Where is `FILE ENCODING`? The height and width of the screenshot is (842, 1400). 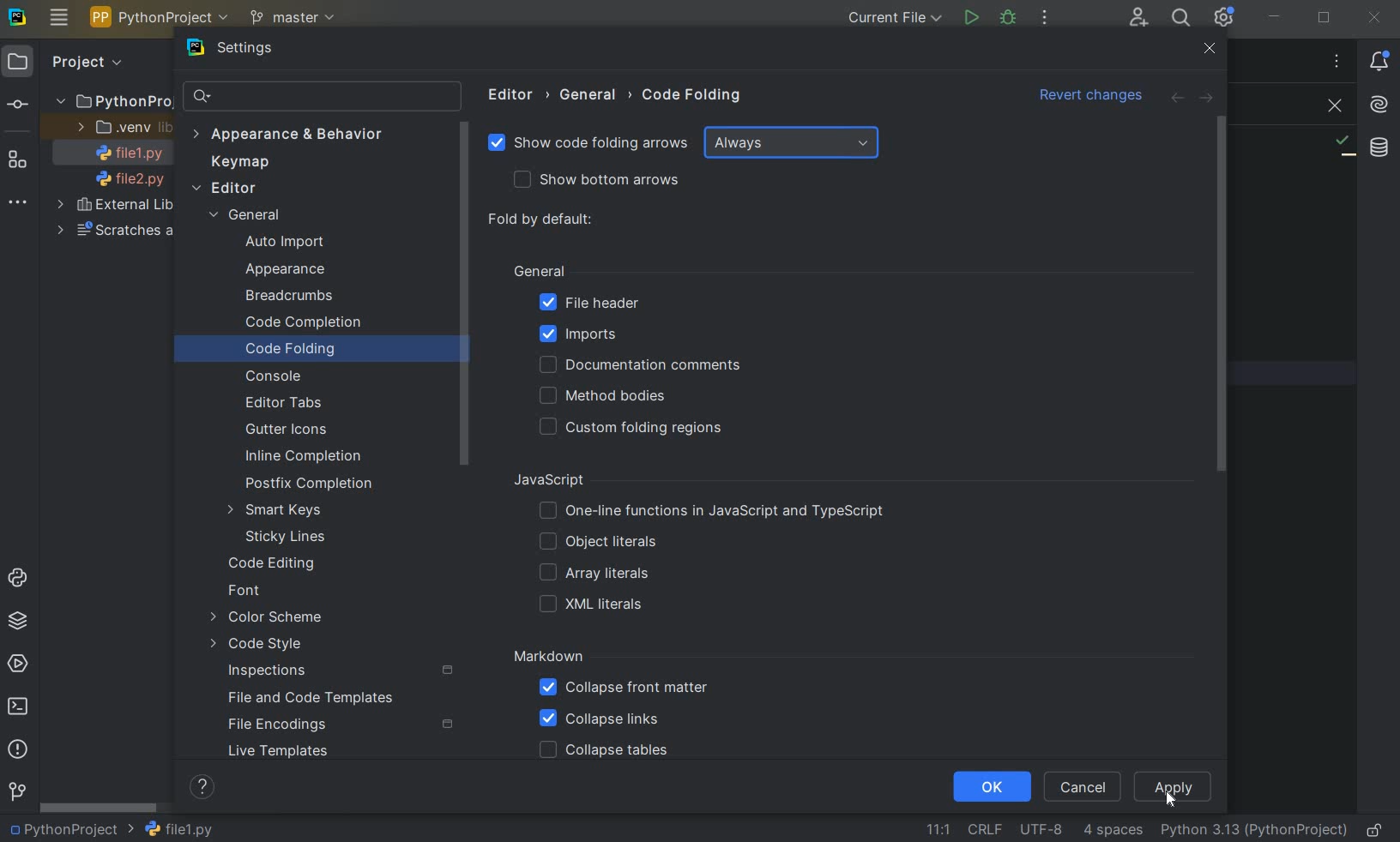 FILE ENCODING is located at coordinates (1038, 829).